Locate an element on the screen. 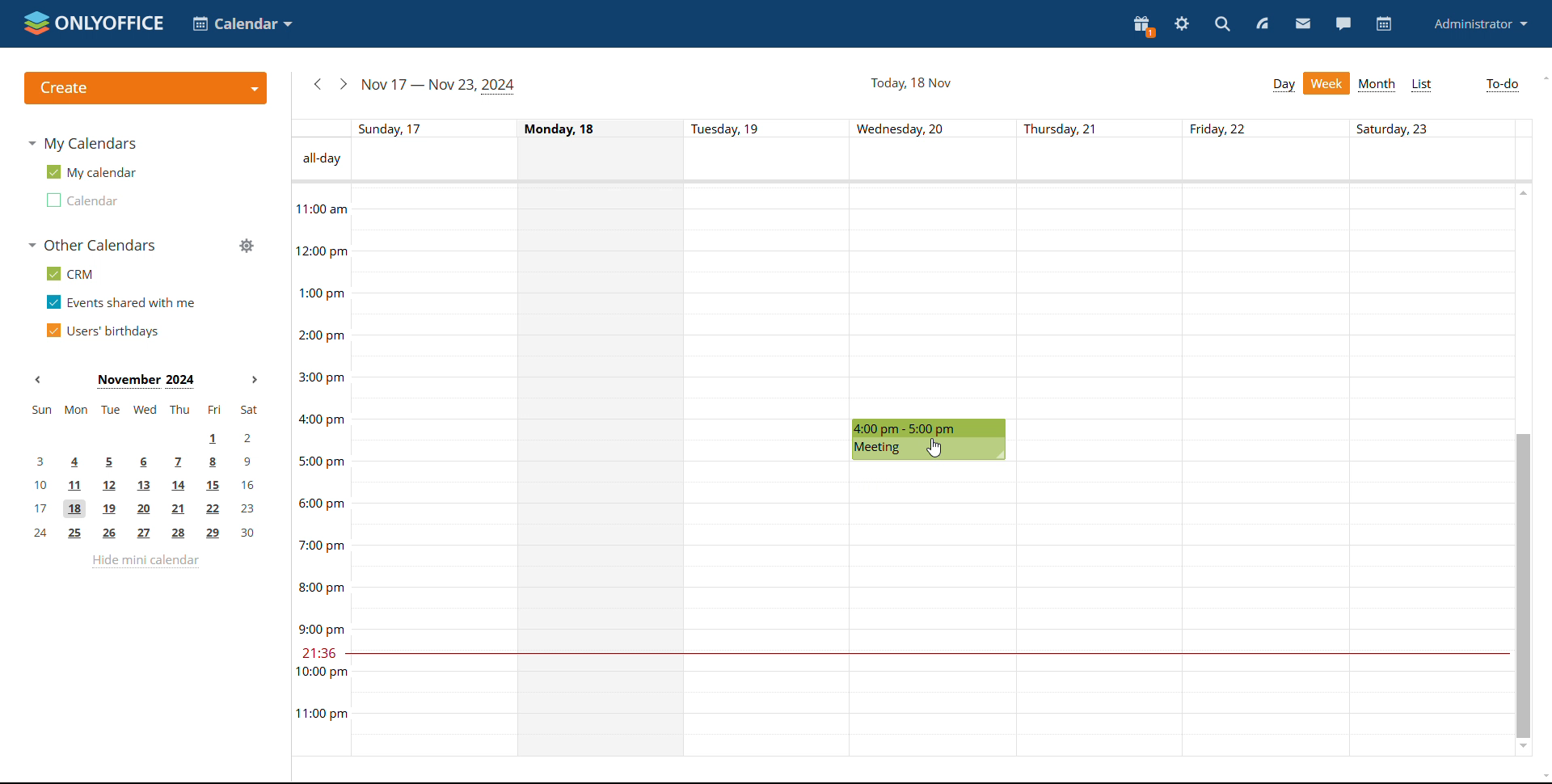 This screenshot has width=1552, height=784. all-day is located at coordinates (319, 159).